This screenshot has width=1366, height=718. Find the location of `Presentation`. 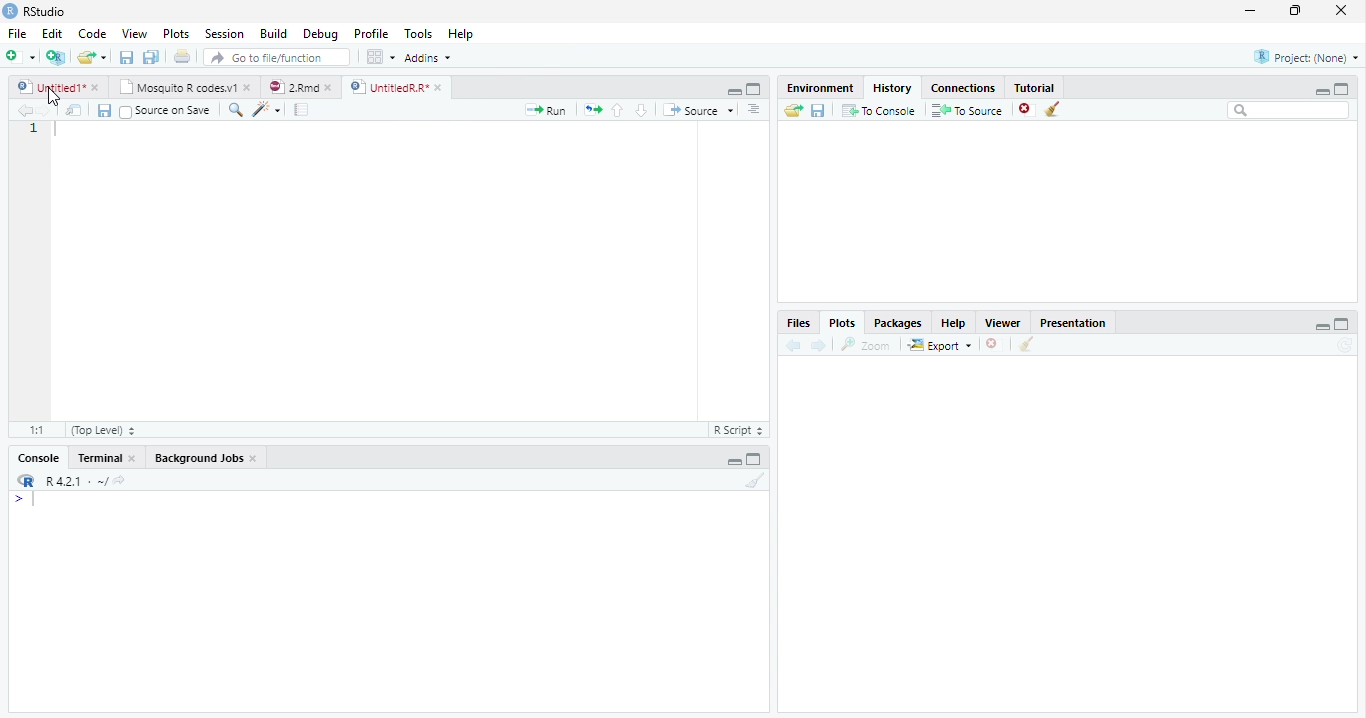

Presentation is located at coordinates (1073, 323).